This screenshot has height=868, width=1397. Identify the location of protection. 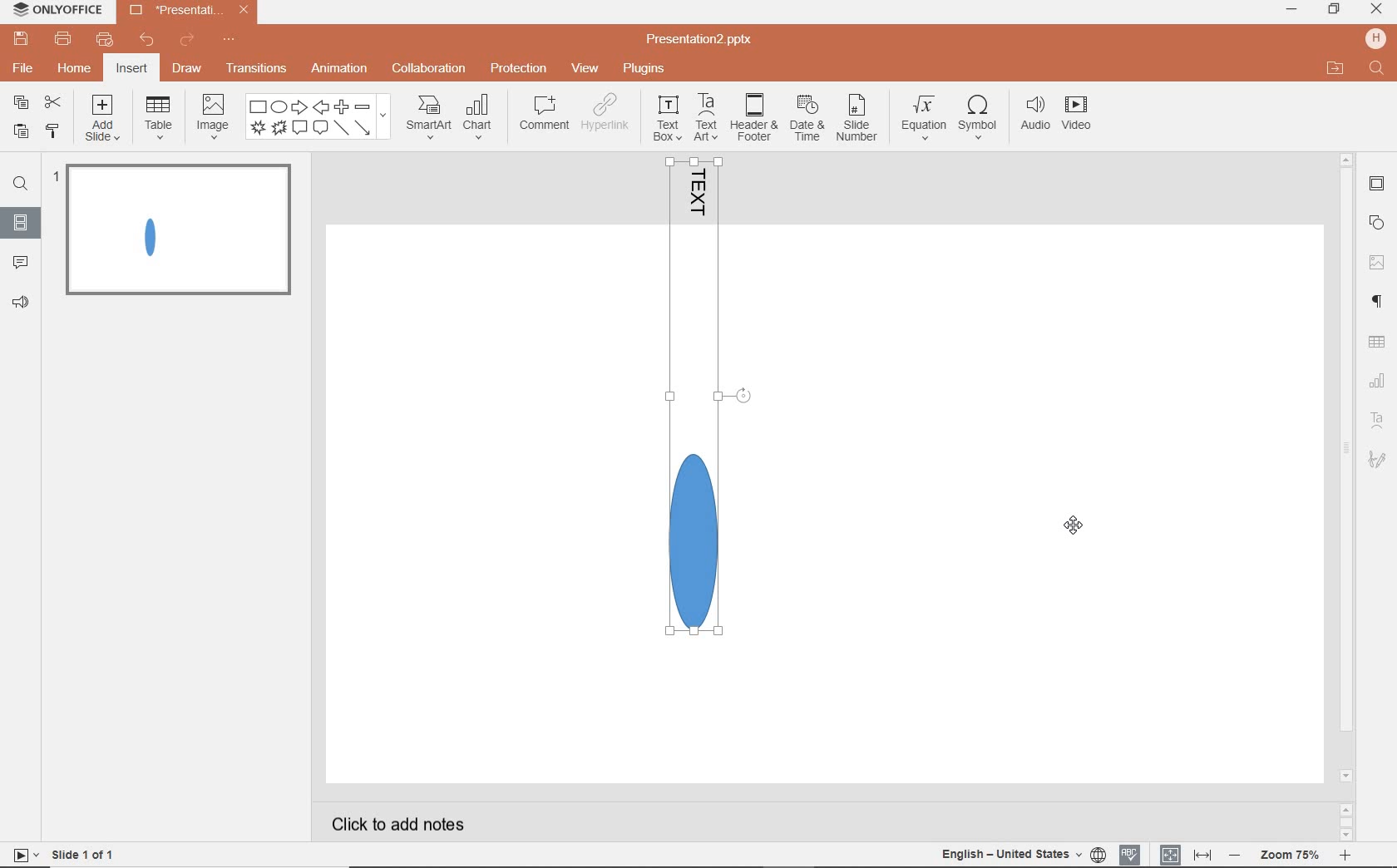
(518, 68).